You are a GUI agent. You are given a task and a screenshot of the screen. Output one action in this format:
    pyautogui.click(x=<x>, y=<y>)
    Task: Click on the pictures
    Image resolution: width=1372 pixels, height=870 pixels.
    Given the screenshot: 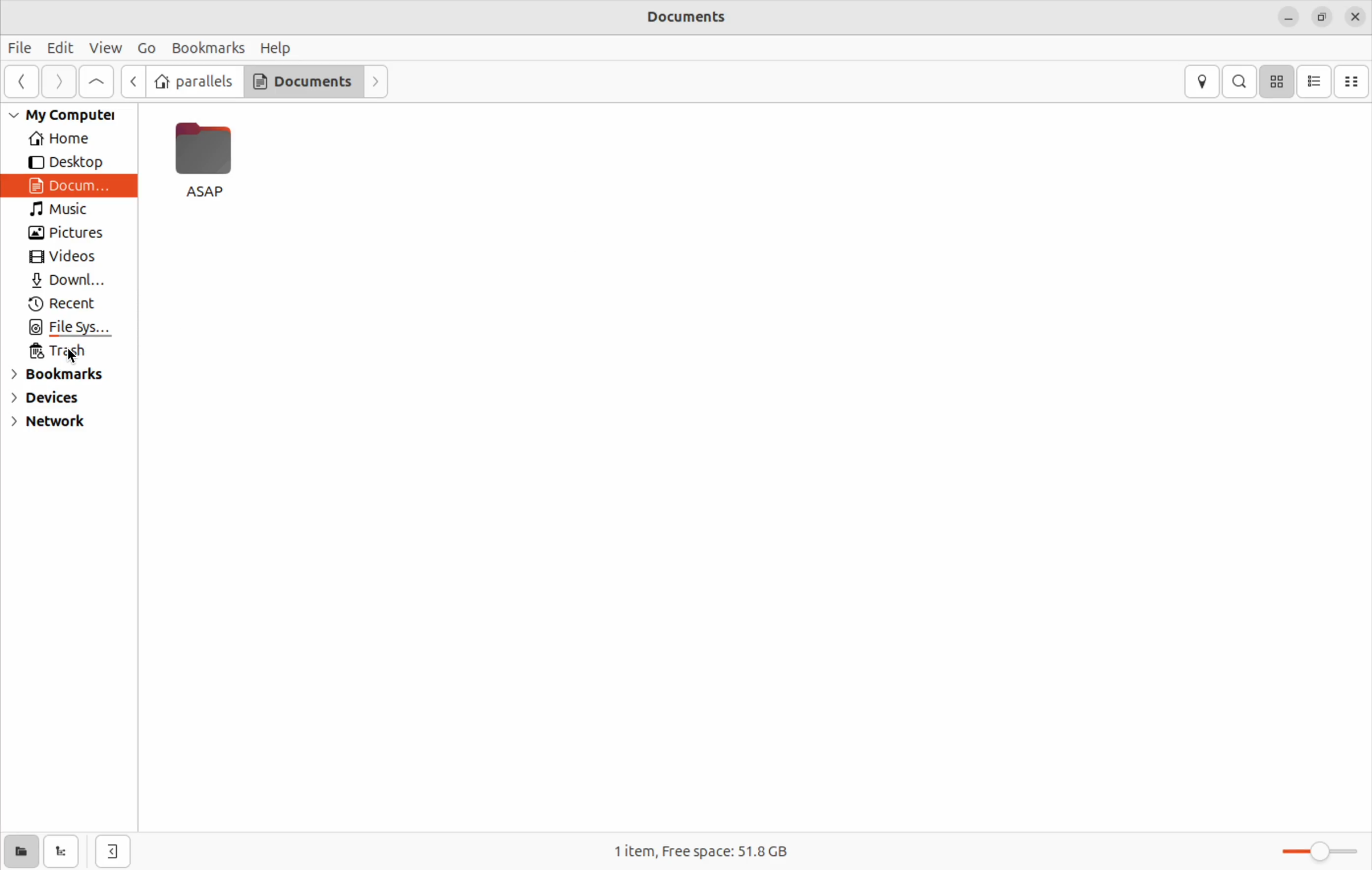 What is the action you would take?
    pyautogui.click(x=66, y=234)
    